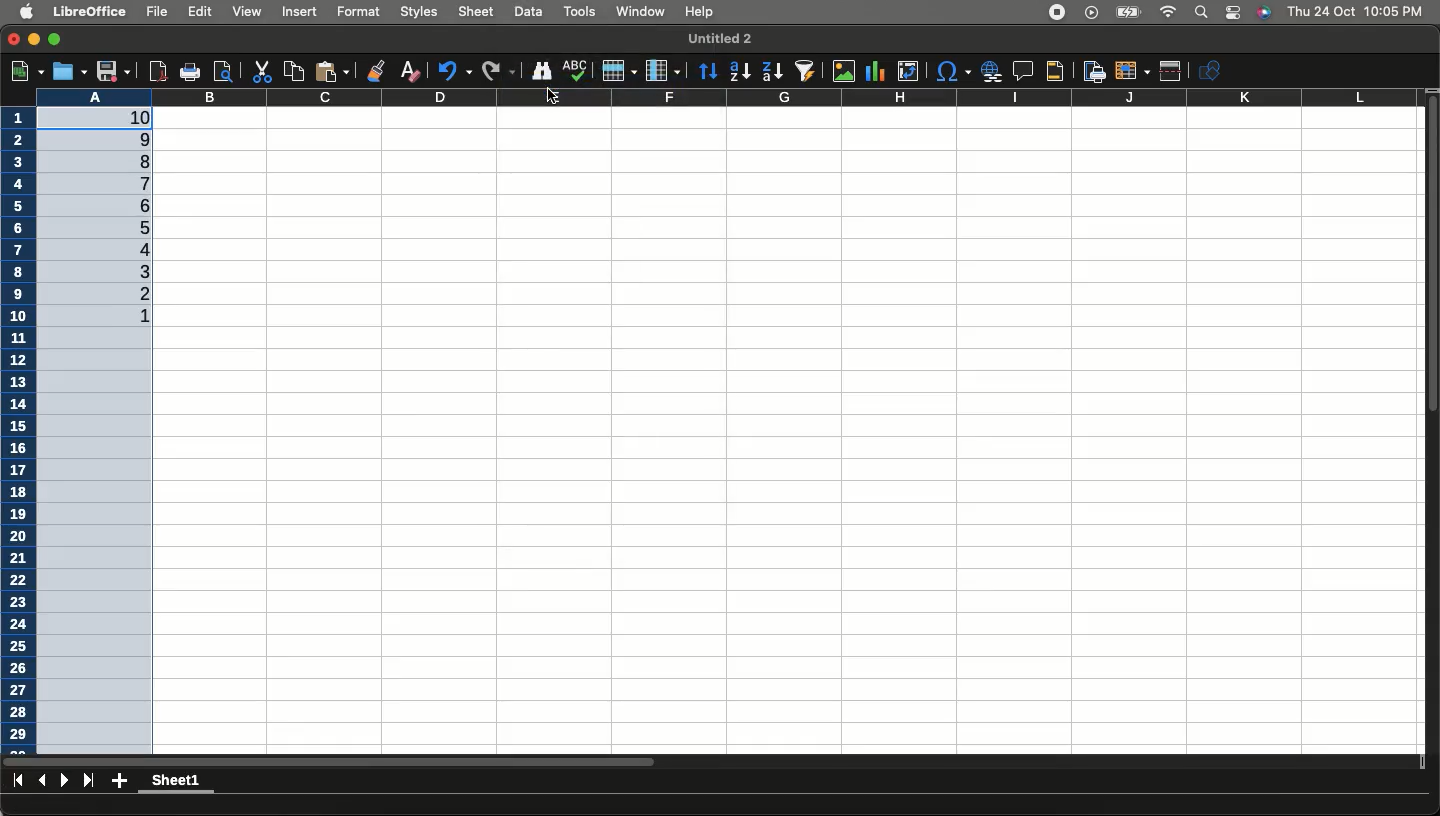 The height and width of the screenshot is (816, 1440). Describe the element at coordinates (1200, 13) in the screenshot. I see `Search` at that location.